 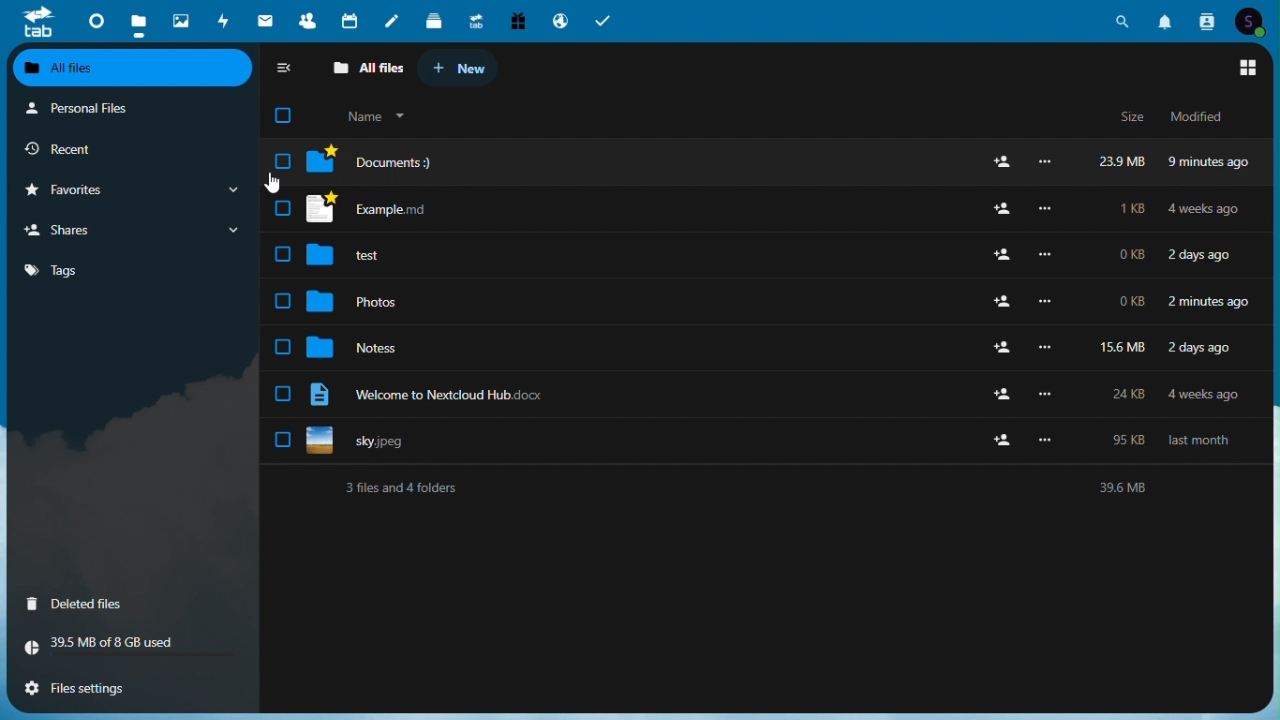 What do you see at coordinates (462, 67) in the screenshot?
I see `New` at bounding box center [462, 67].